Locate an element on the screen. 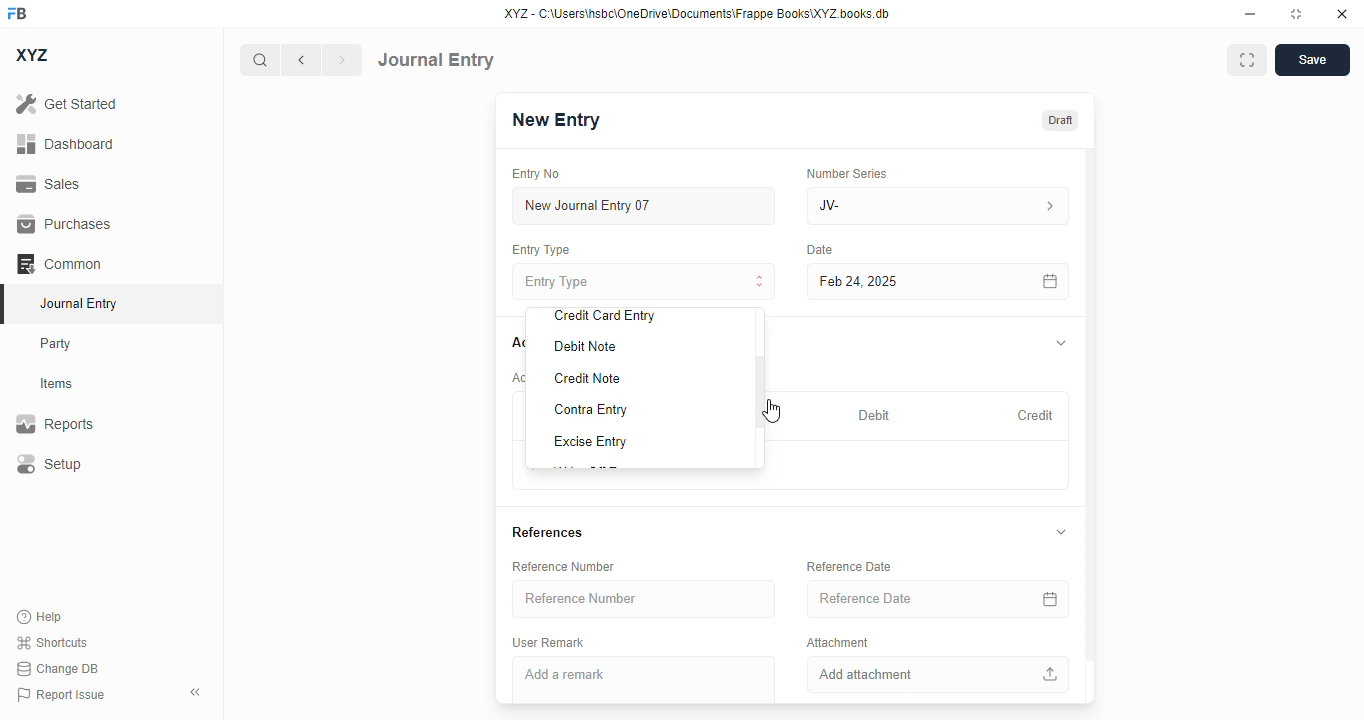 The image size is (1364, 720). reference date is located at coordinates (897, 598).